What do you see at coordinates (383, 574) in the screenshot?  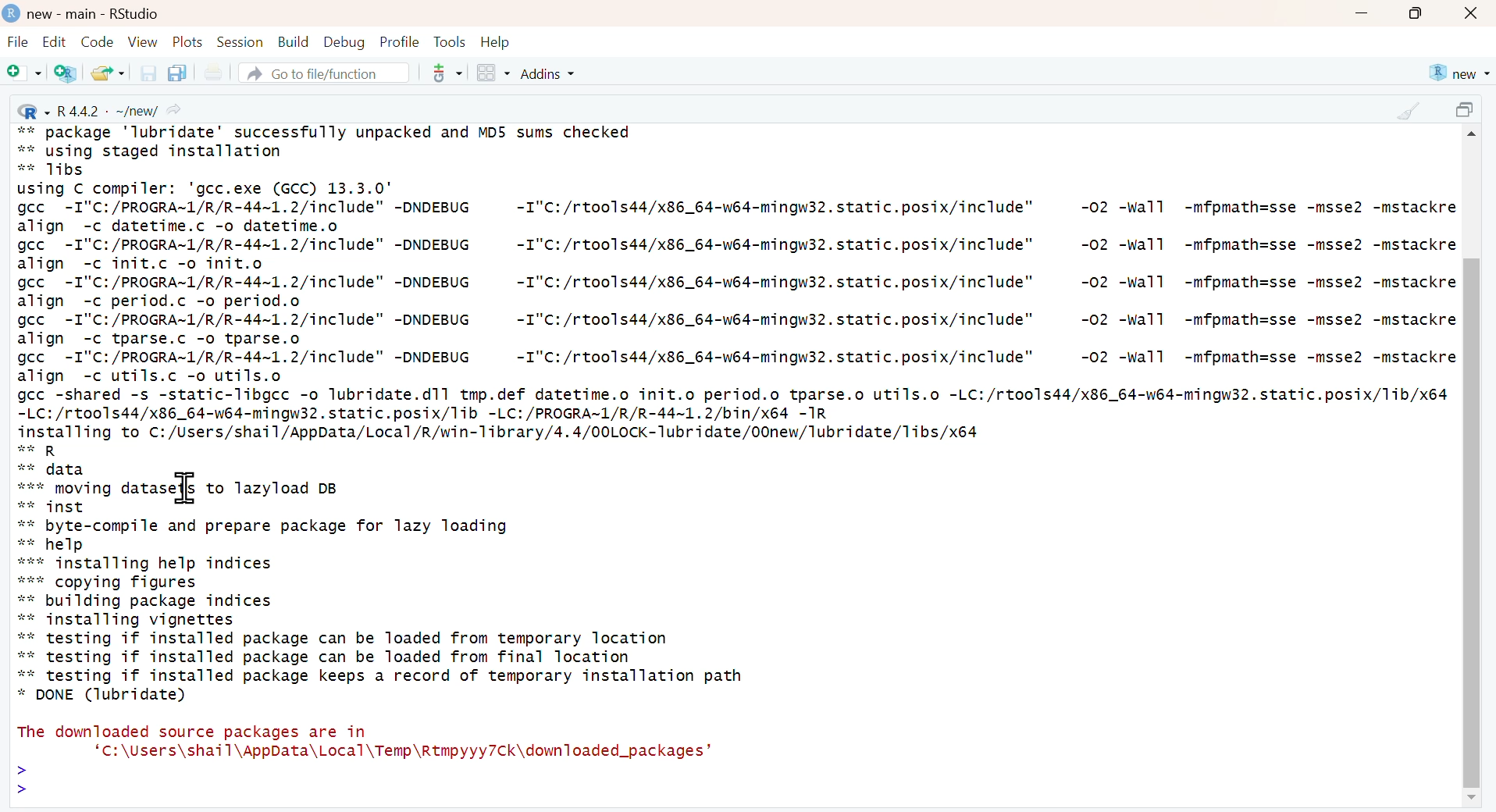 I see `** R** data*** moving datasets to lazyload DB“* inst** pyte-compile and prepare package for lazy loading** help**% installing help indices#*% copying figures** pbuilding package indices** installing vignettes** testing if installed package can be loaded from temporary location** testing if installed package can be loaded from final location** testing if installed package keeps a record of temporary installation path* DONE (lubridate)` at bounding box center [383, 574].